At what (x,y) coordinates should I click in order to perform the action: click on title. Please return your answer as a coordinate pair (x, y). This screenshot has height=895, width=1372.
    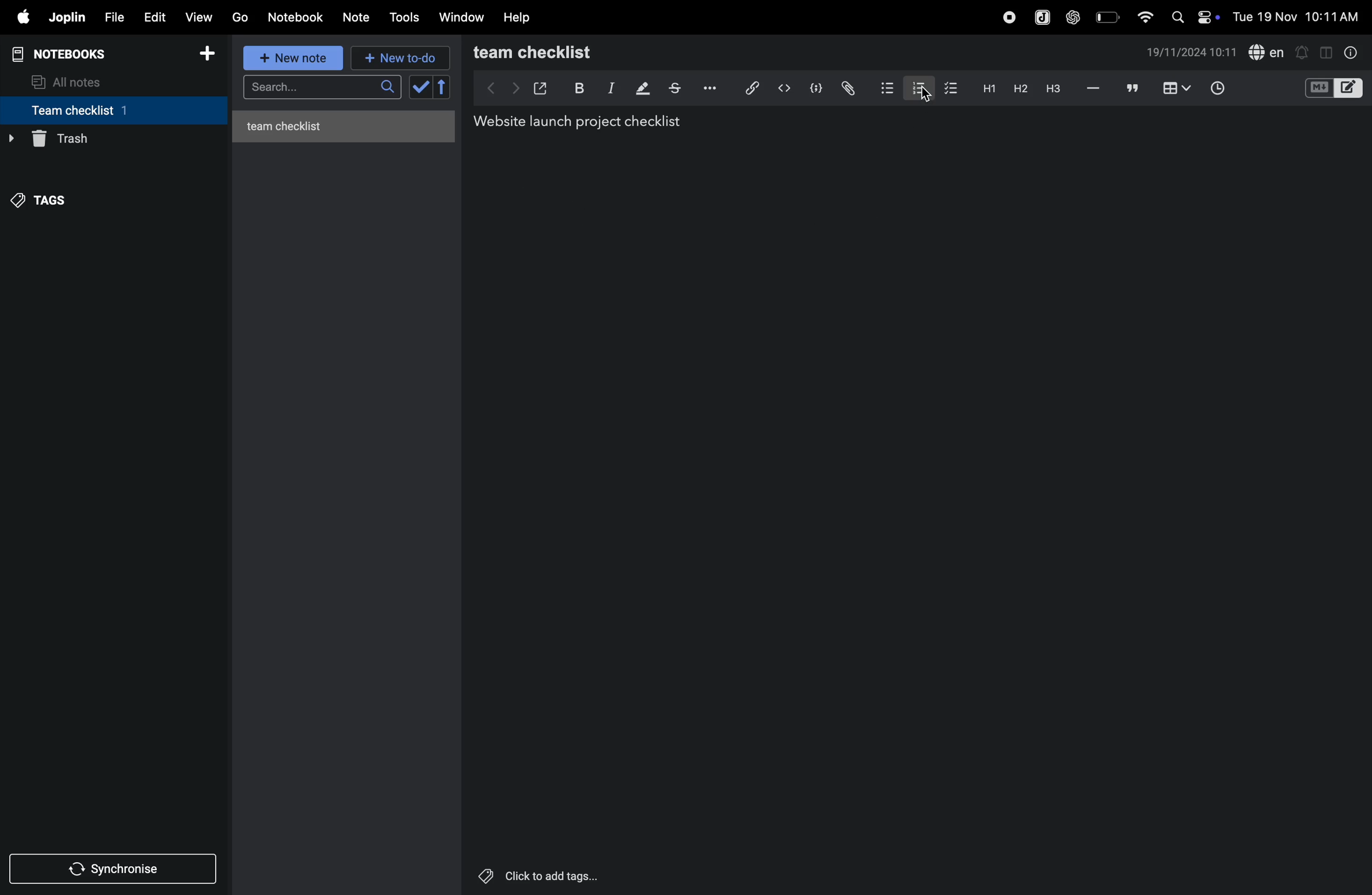
    Looking at the image, I should click on (583, 122).